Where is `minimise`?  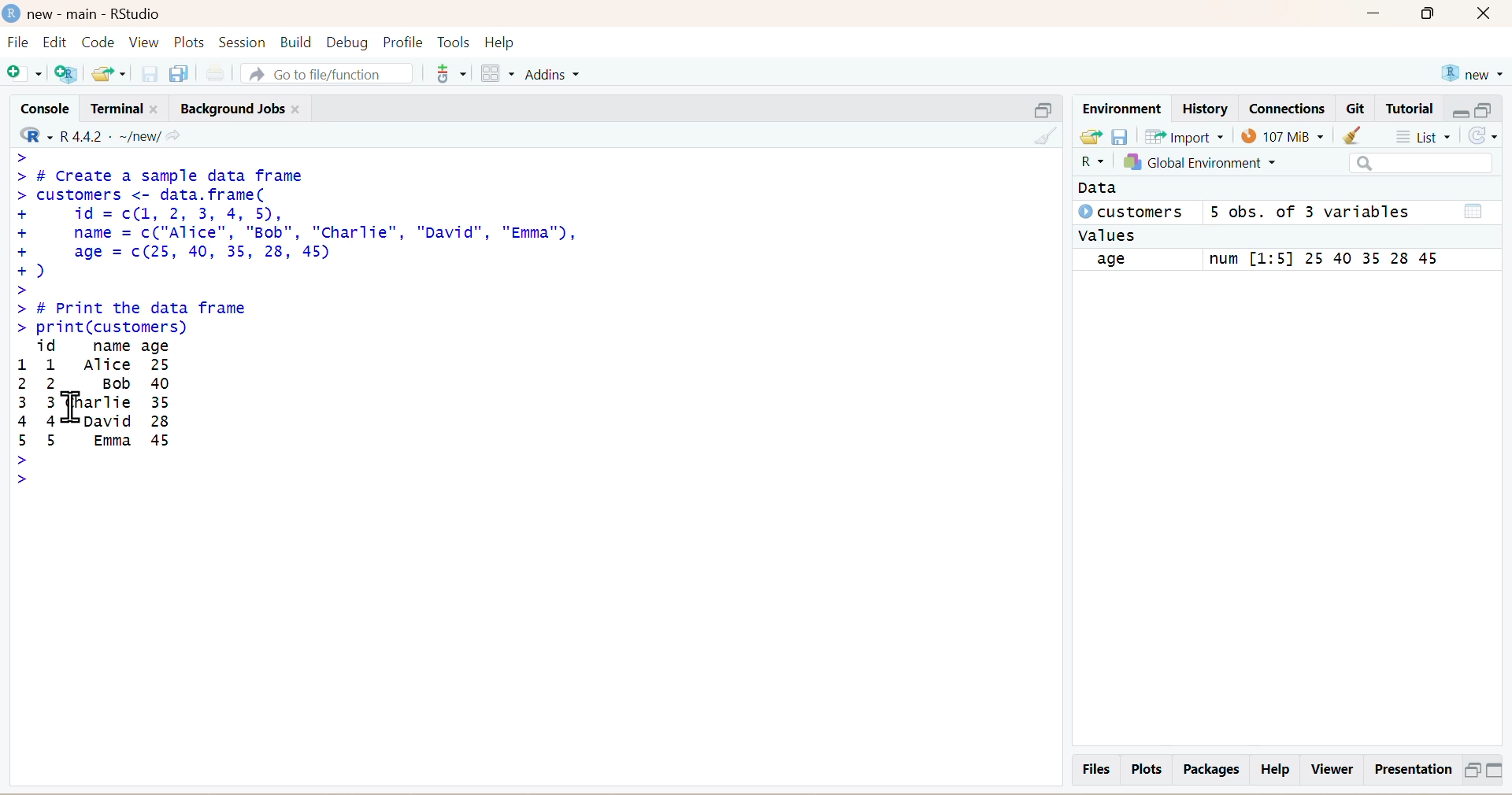 minimise is located at coordinates (1459, 109).